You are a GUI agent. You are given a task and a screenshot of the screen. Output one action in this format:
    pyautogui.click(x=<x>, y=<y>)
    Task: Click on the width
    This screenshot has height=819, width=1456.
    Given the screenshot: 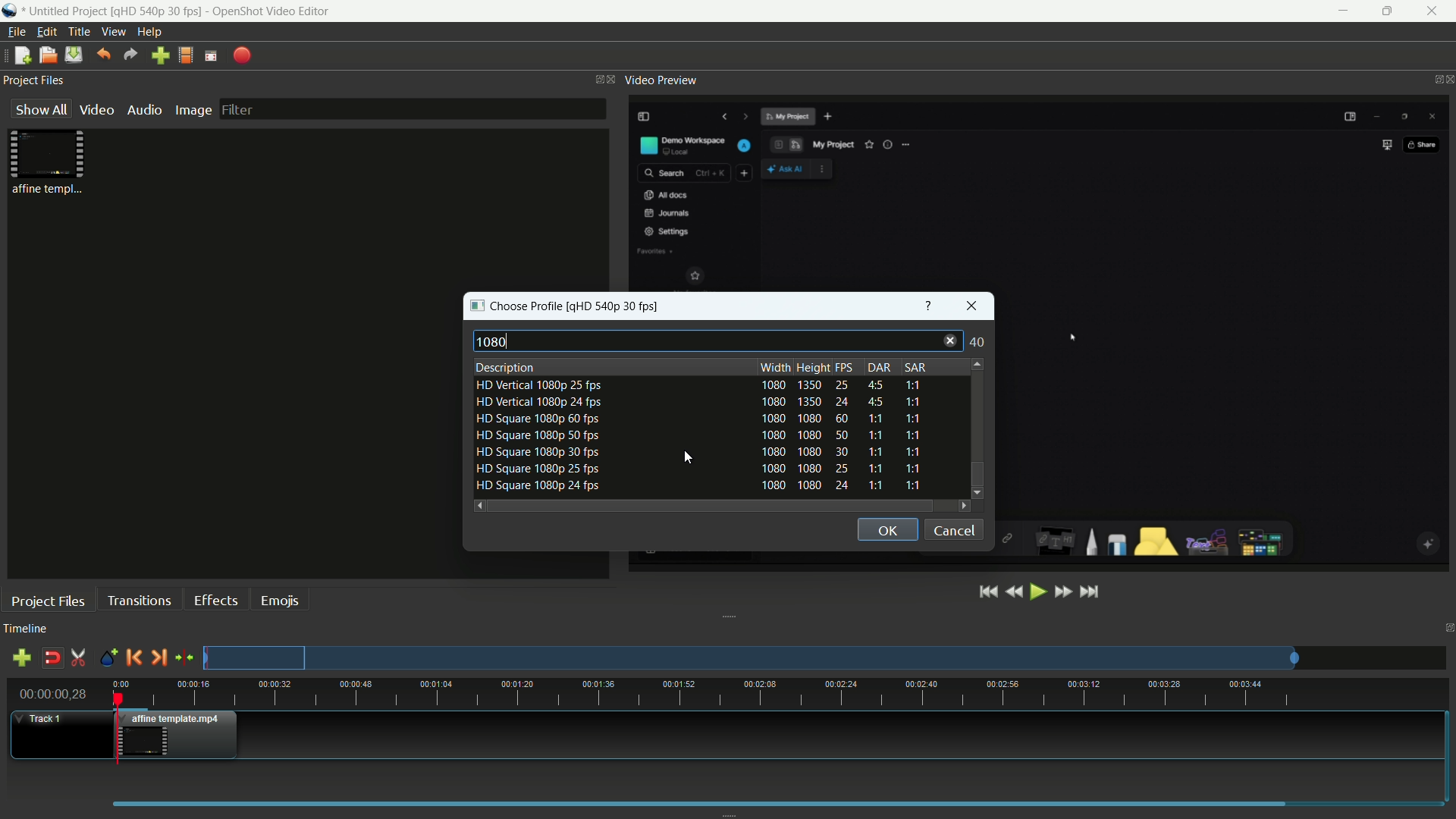 What is the action you would take?
    pyautogui.click(x=775, y=367)
    